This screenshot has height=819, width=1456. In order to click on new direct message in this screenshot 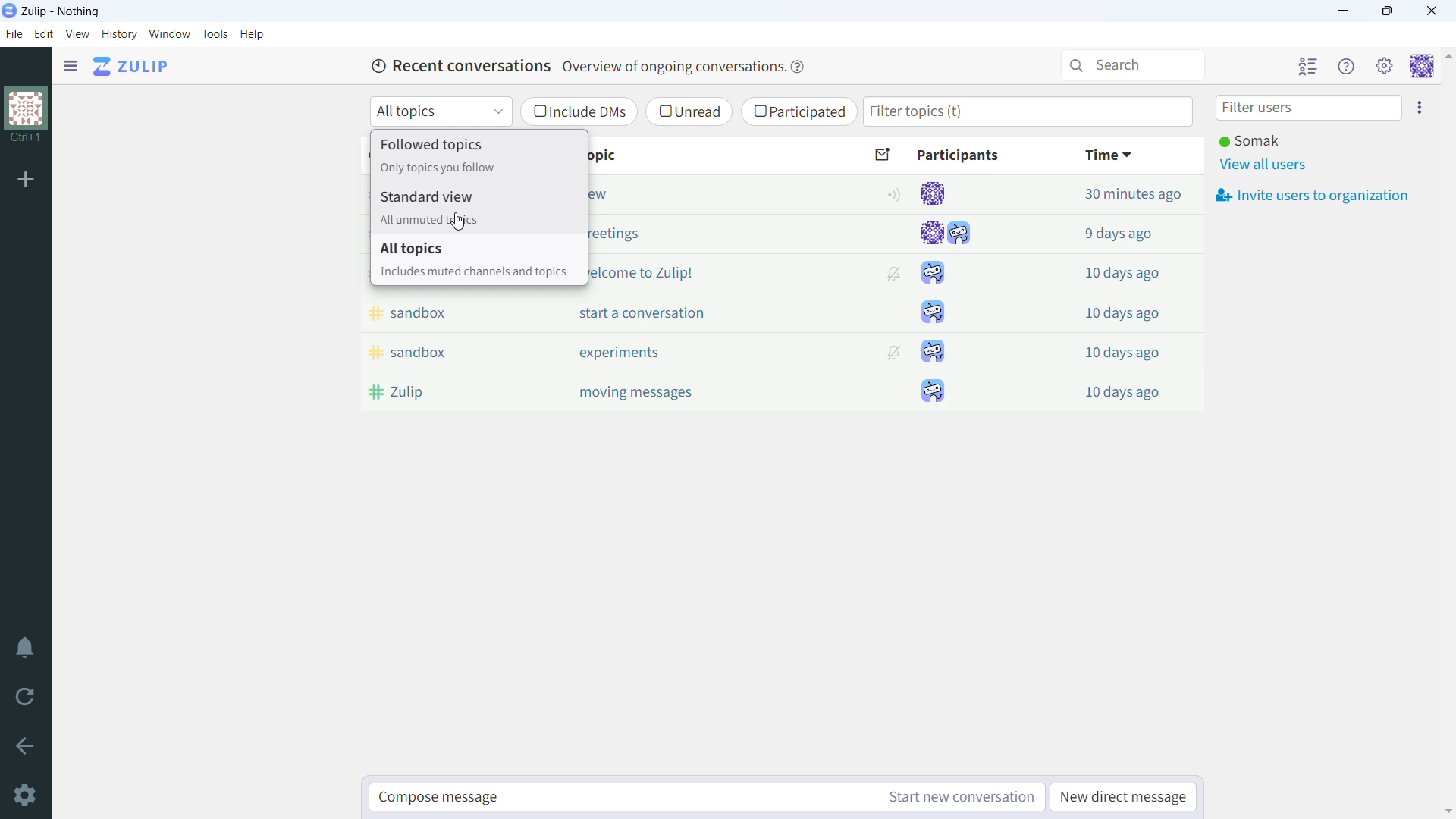, I will do `click(1122, 797)`.